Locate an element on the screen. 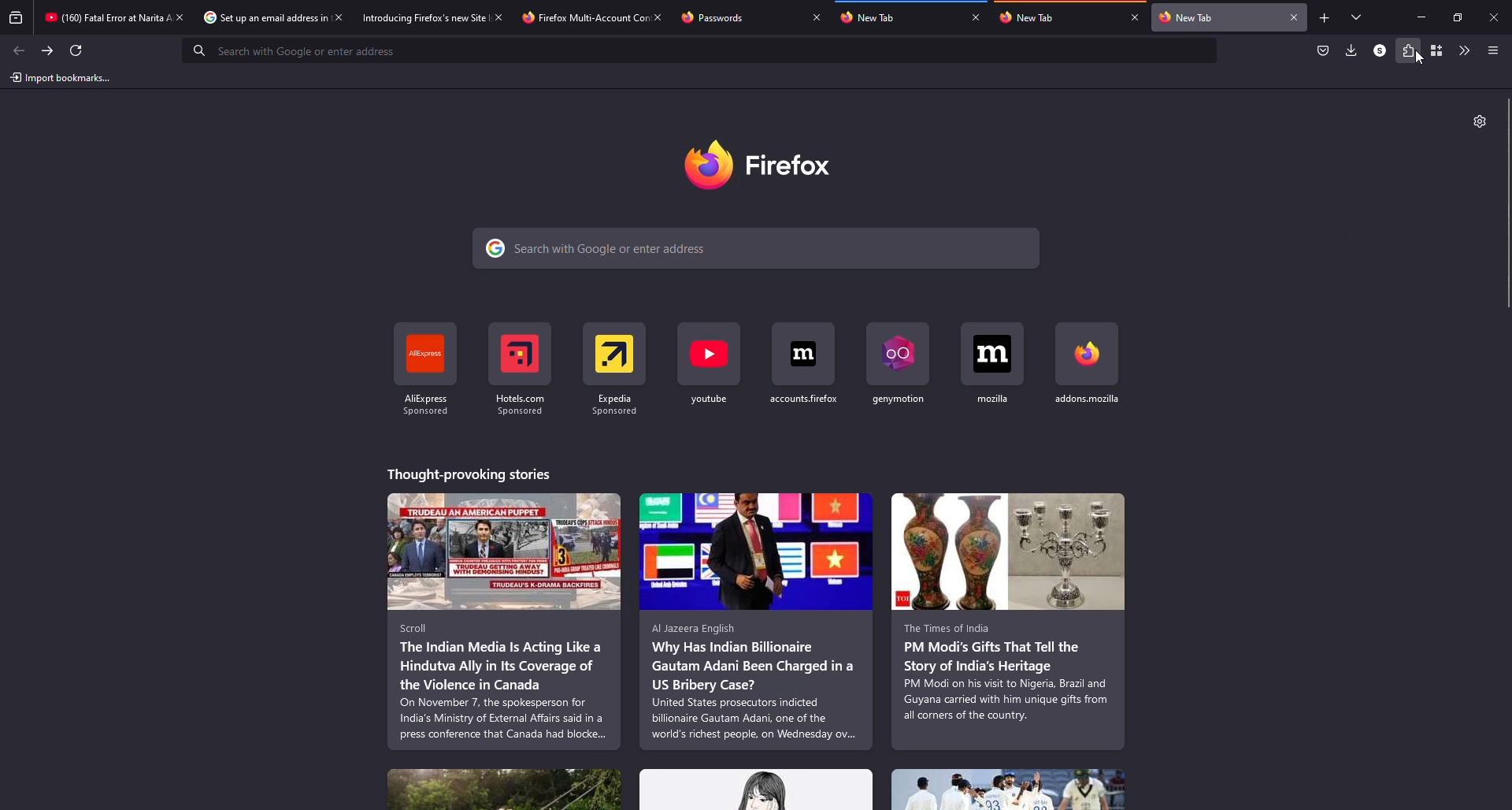 This screenshot has height=810, width=1512. import bookmarks is located at coordinates (64, 78).